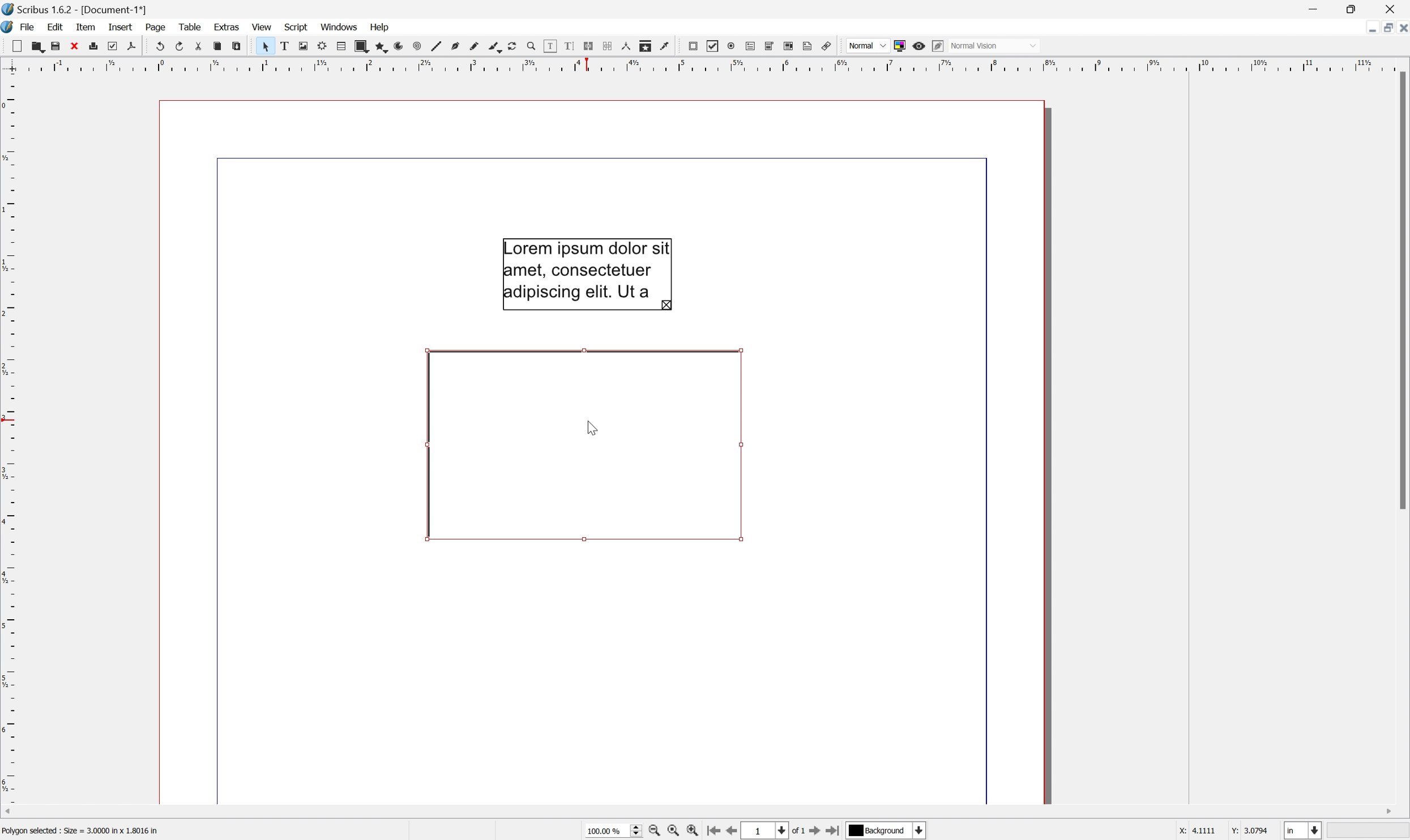 The height and width of the screenshot is (840, 1410). Describe the element at coordinates (179, 46) in the screenshot. I see `Redo` at that location.